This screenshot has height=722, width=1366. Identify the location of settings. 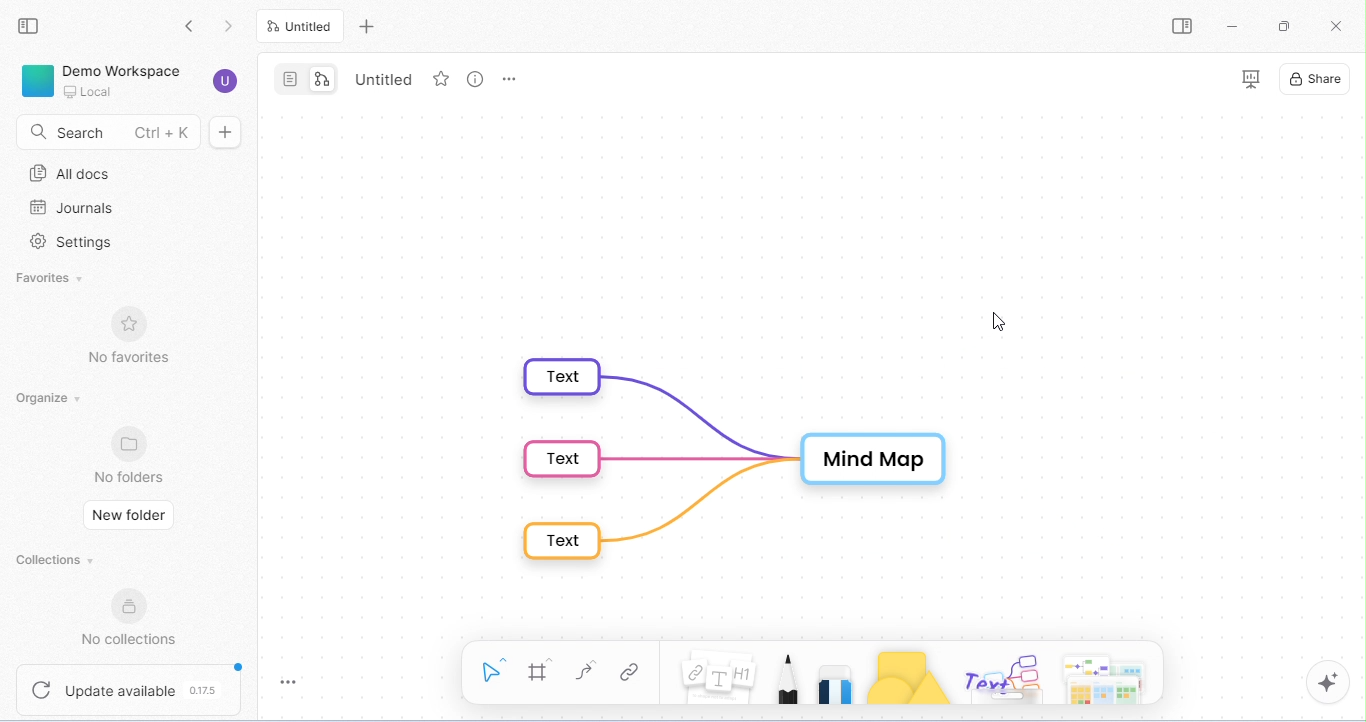
(76, 243).